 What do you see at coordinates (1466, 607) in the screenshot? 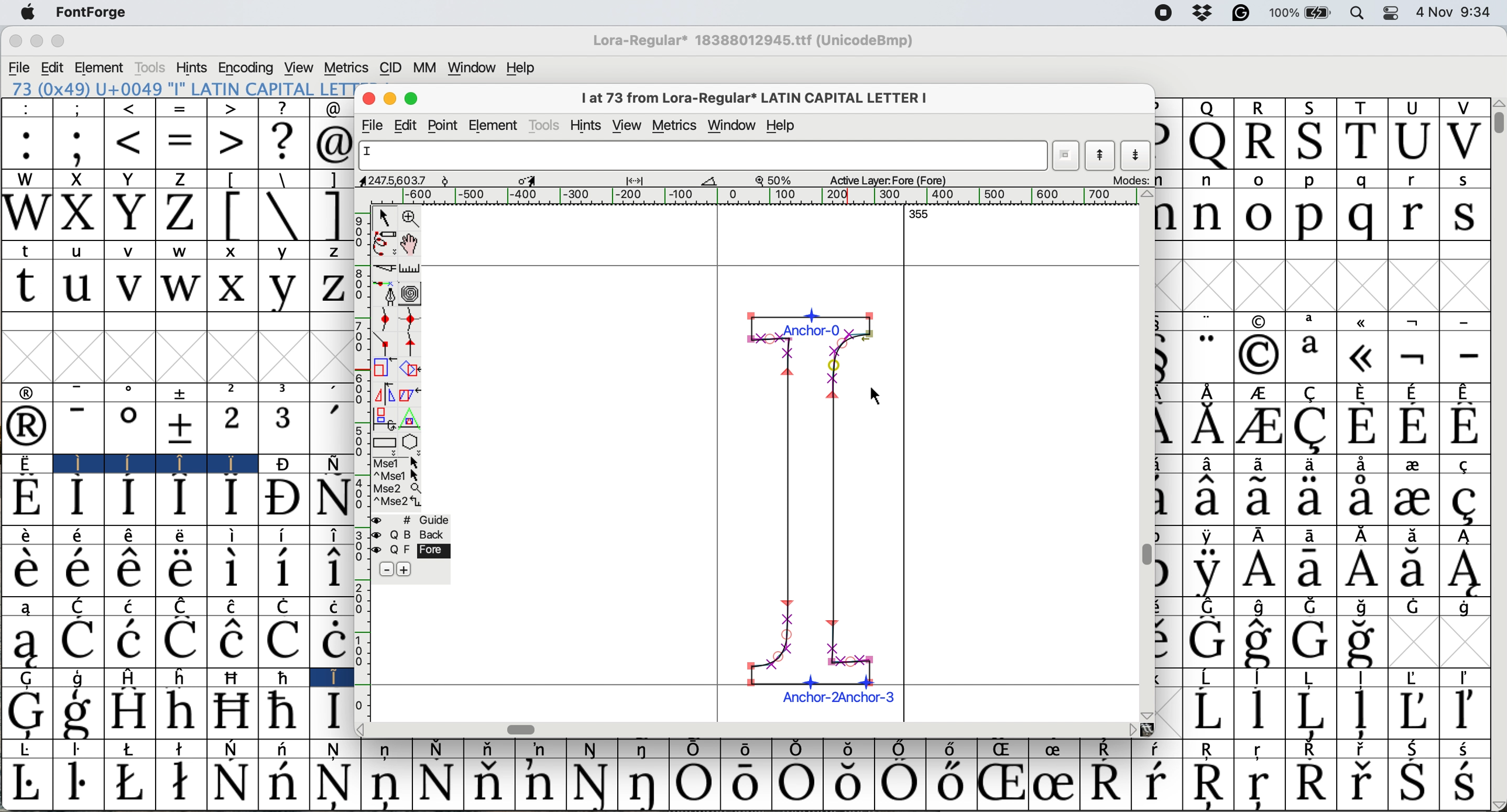
I see `Symbol` at bounding box center [1466, 607].